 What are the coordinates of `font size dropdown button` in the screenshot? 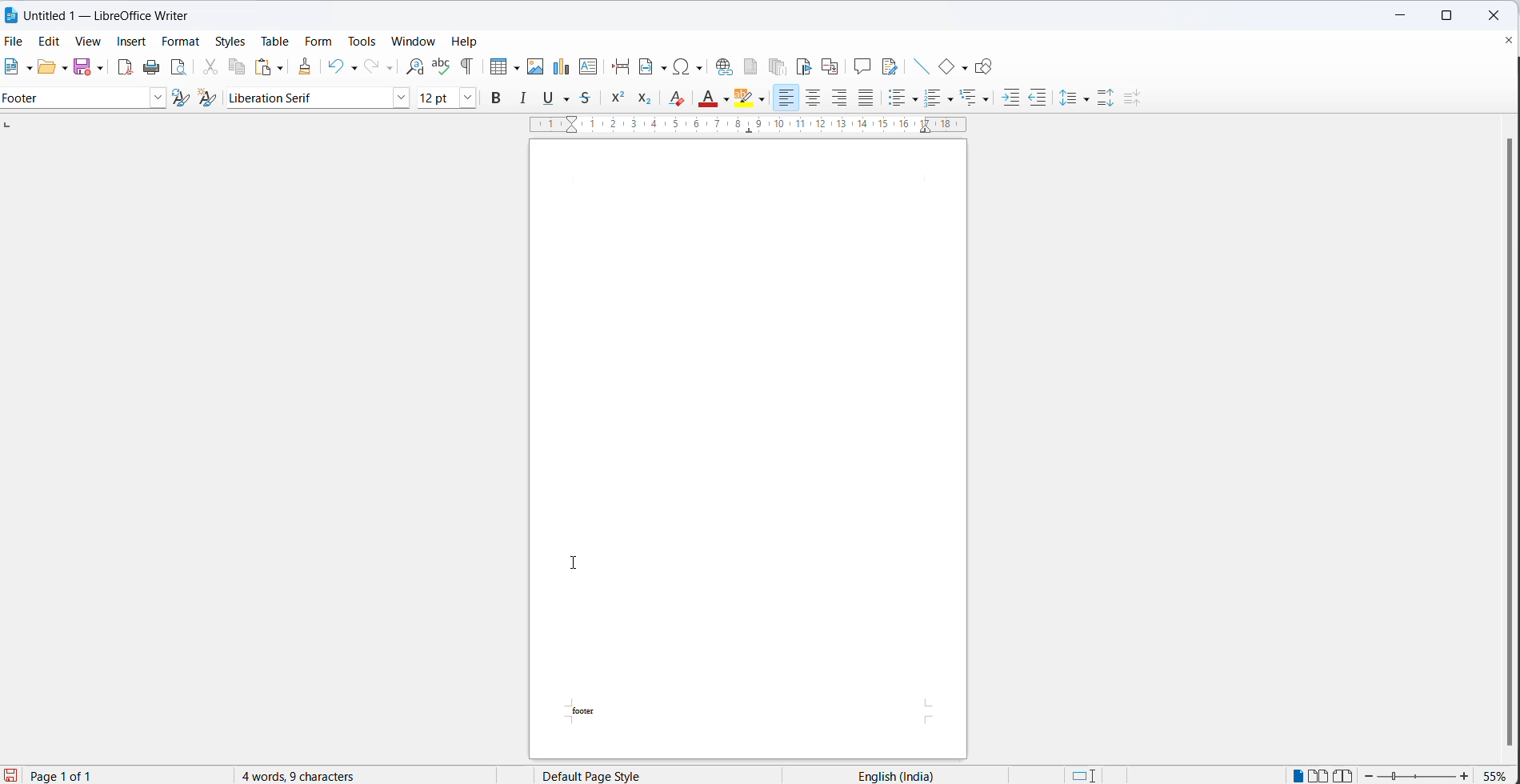 It's located at (467, 98).